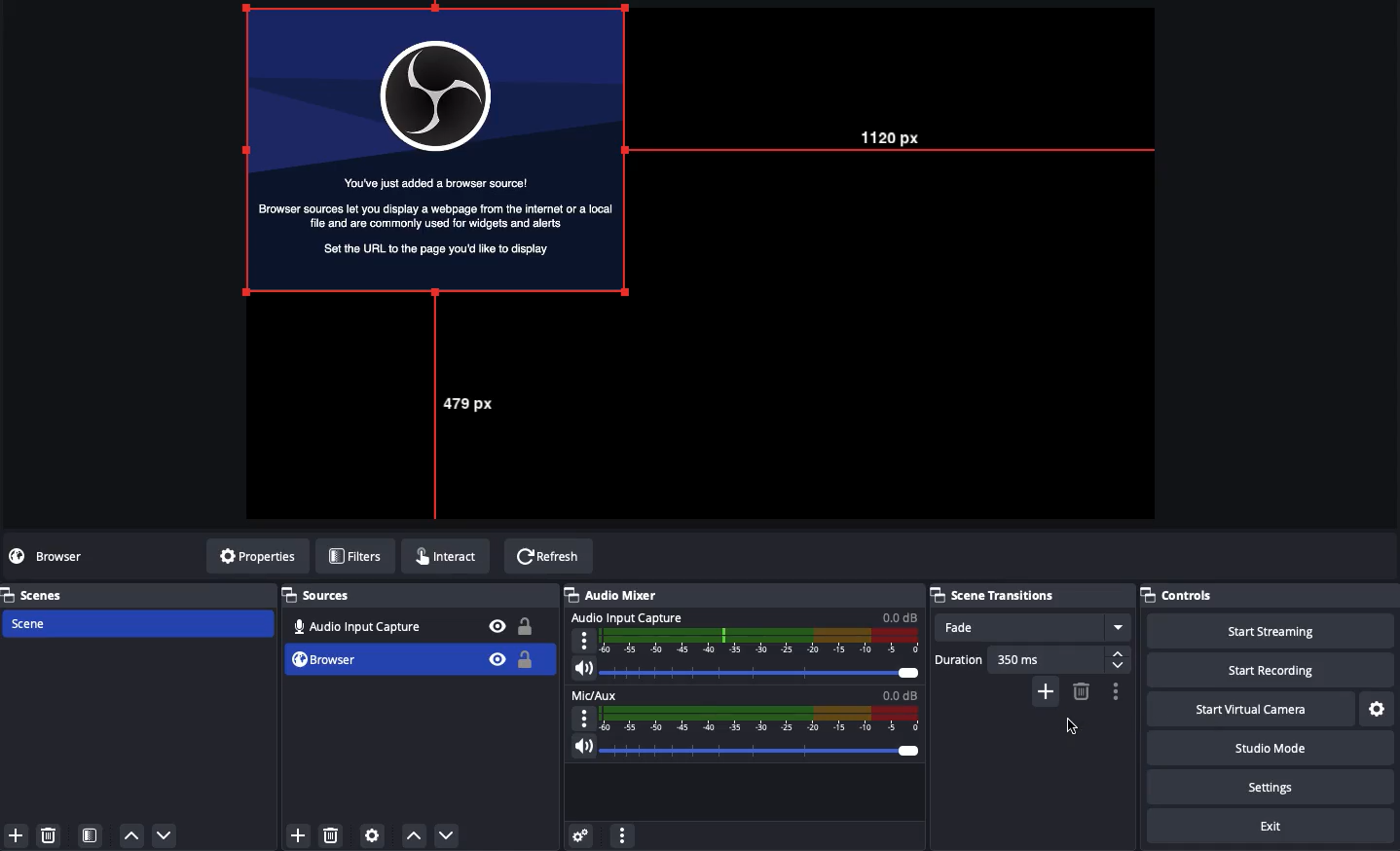 The image size is (1400, 851). Describe the element at coordinates (358, 559) in the screenshot. I see `Filters click` at that location.